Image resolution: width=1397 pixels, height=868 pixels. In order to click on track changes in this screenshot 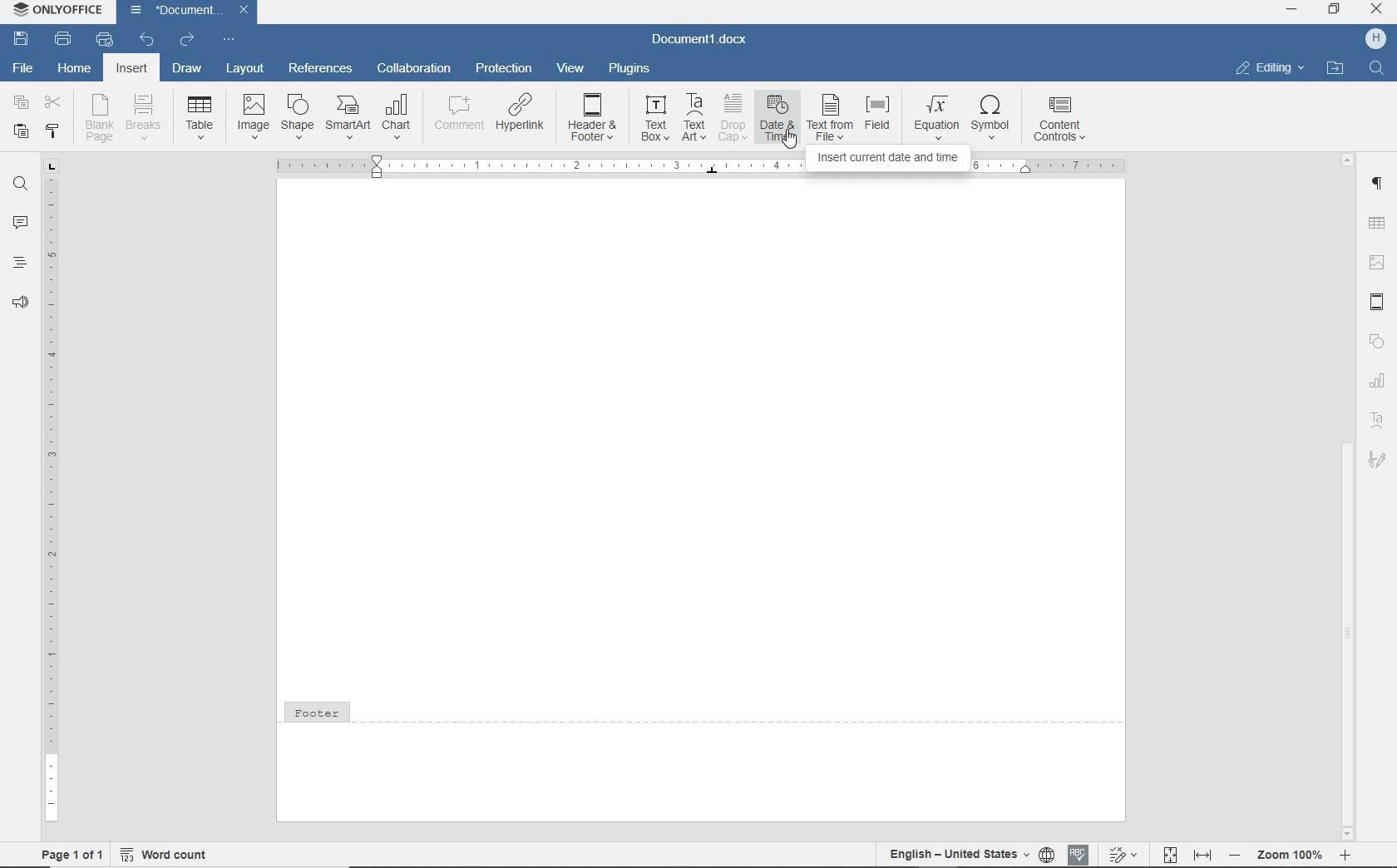, I will do `click(1121, 856)`.